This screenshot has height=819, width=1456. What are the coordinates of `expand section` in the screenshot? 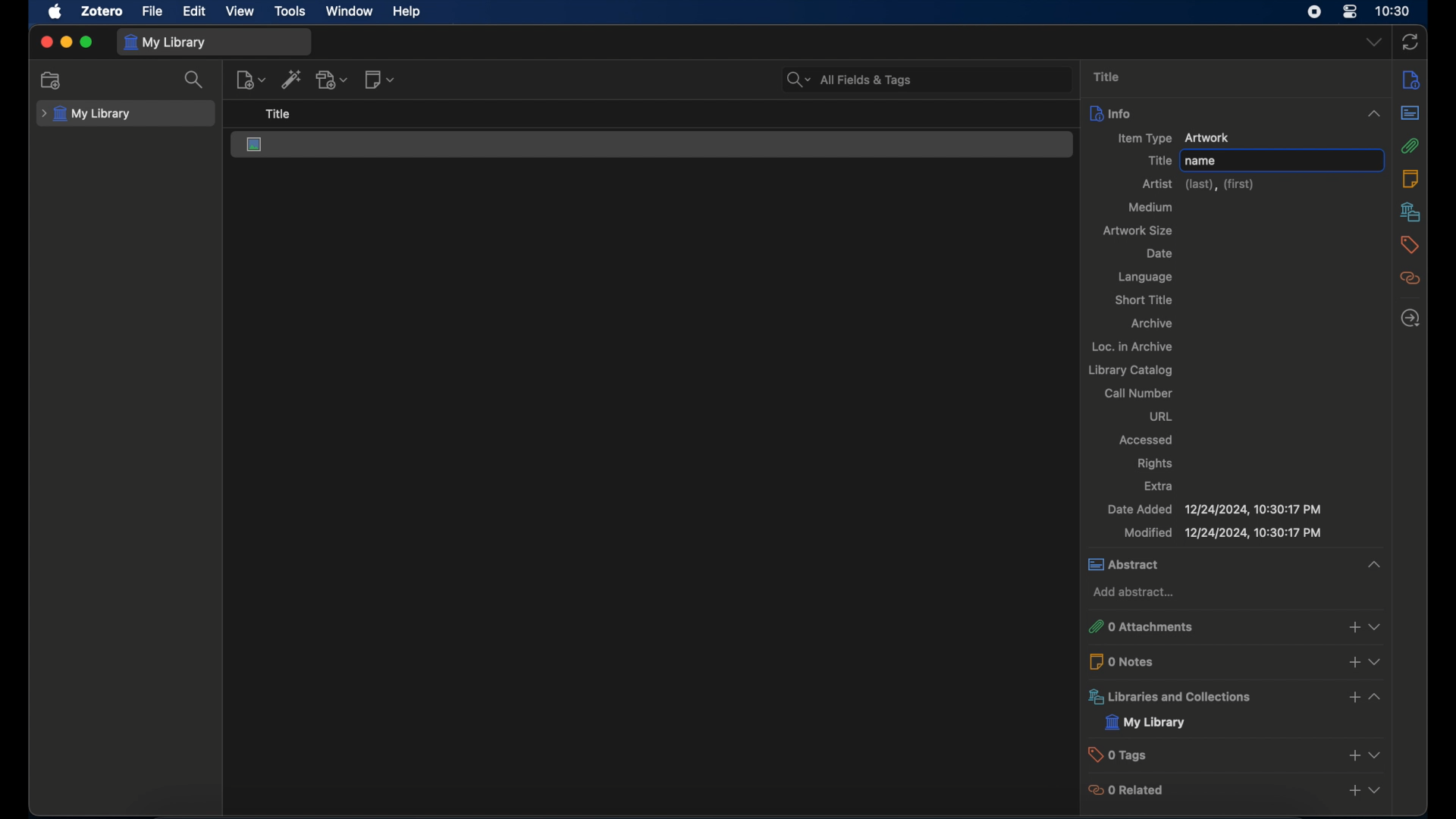 It's located at (1381, 792).